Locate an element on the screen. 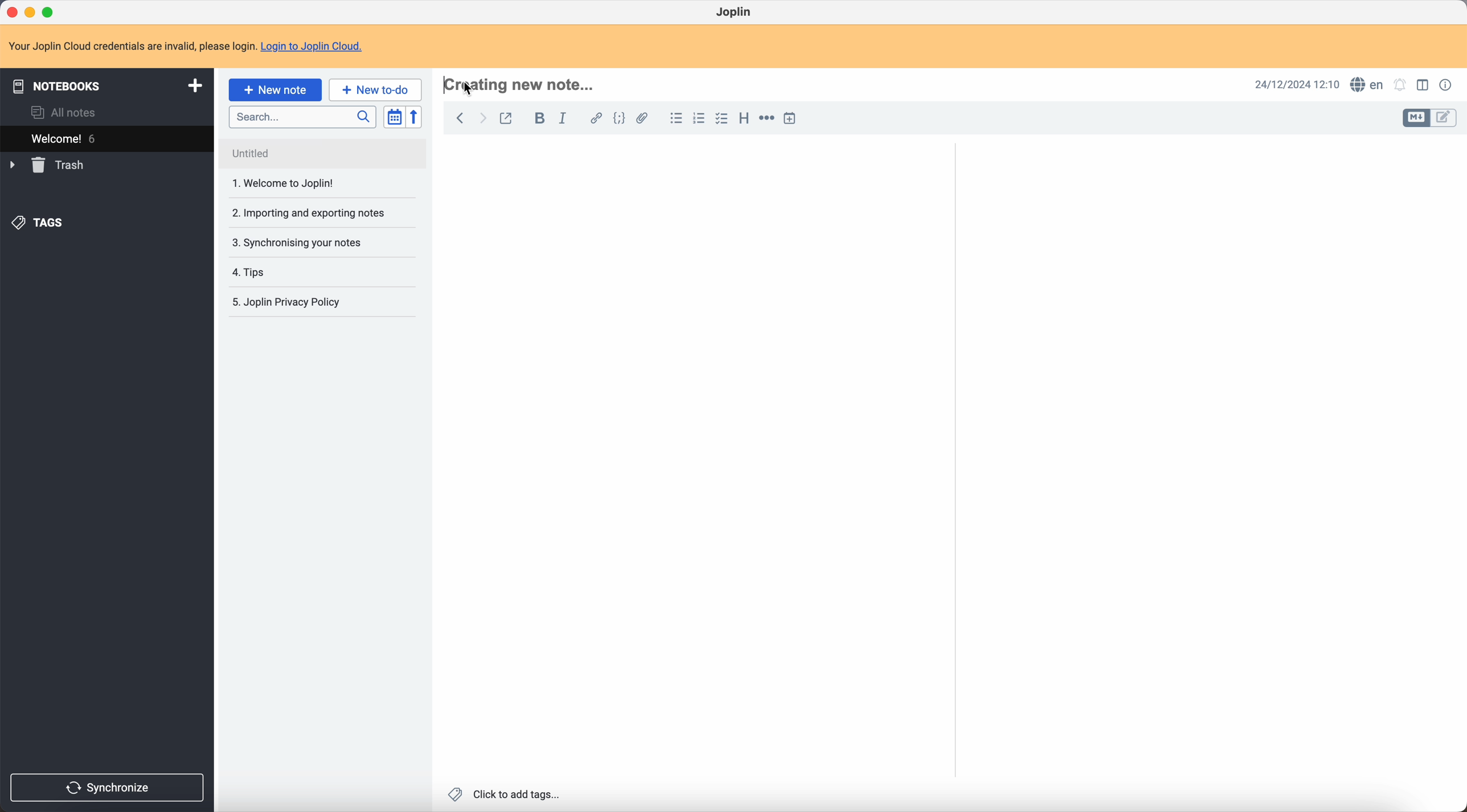 The width and height of the screenshot is (1467, 812). check list is located at coordinates (721, 119).